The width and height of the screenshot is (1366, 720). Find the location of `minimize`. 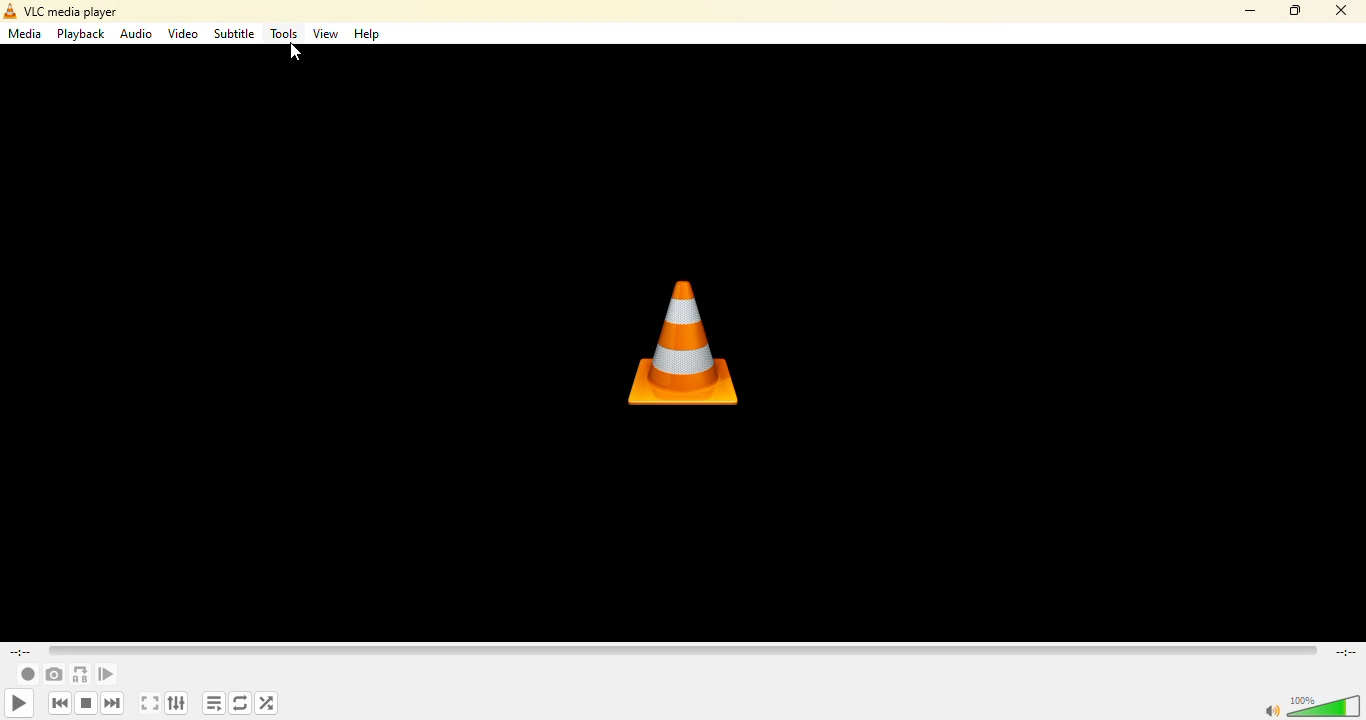

minimize is located at coordinates (1248, 11).